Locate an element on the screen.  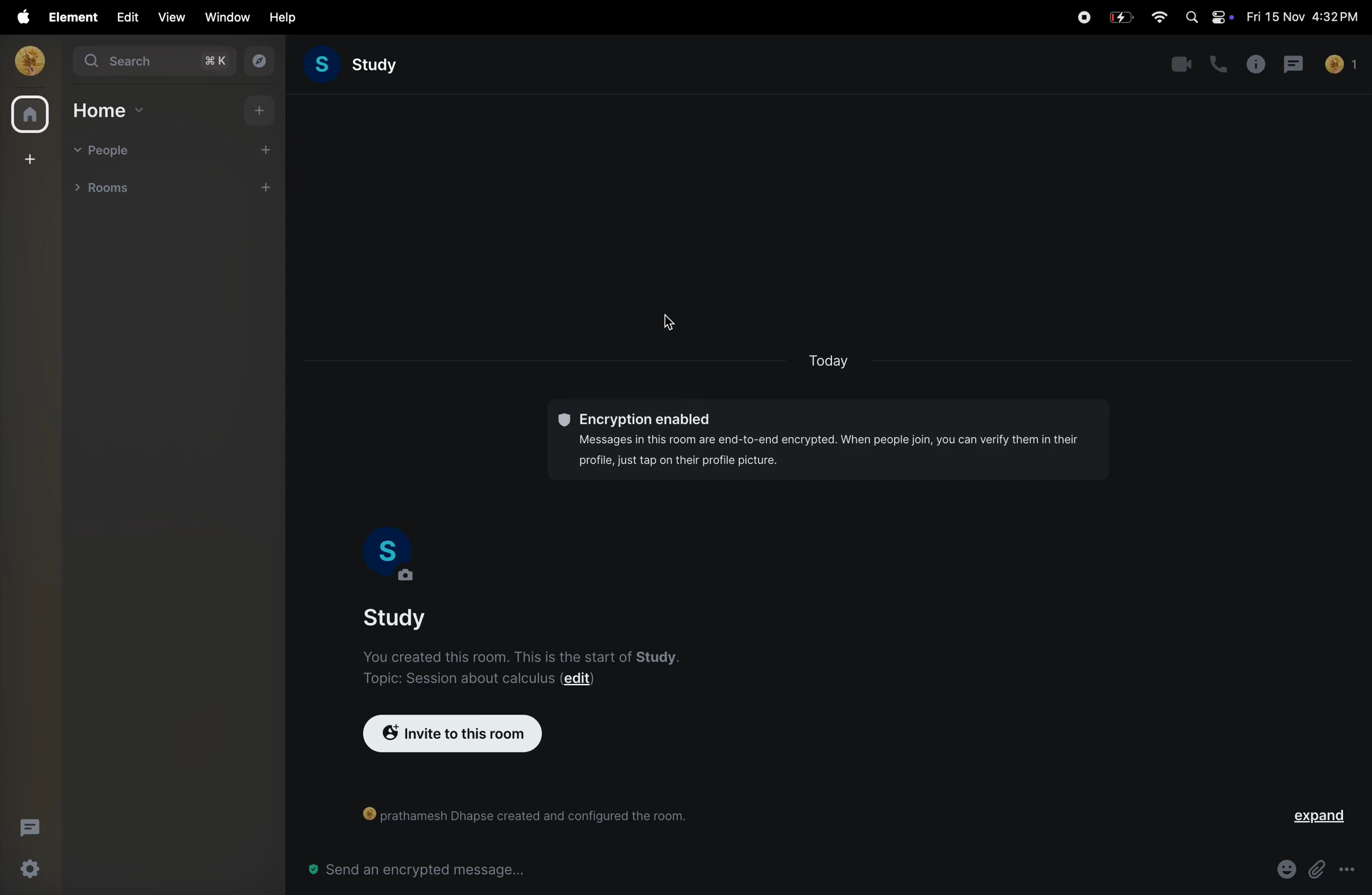
apple menu is located at coordinates (18, 17).